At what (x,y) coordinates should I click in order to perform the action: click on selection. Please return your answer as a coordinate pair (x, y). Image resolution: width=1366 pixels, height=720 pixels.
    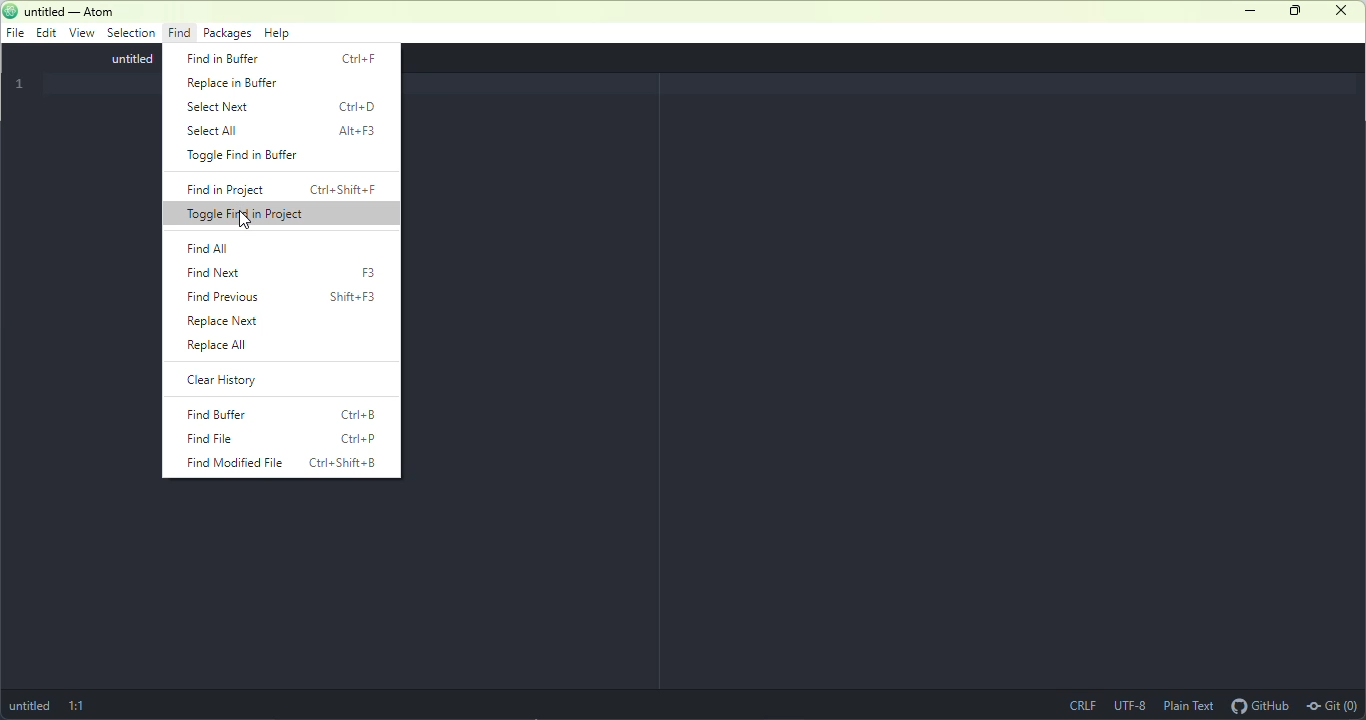
    Looking at the image, I should click on (130, 34).